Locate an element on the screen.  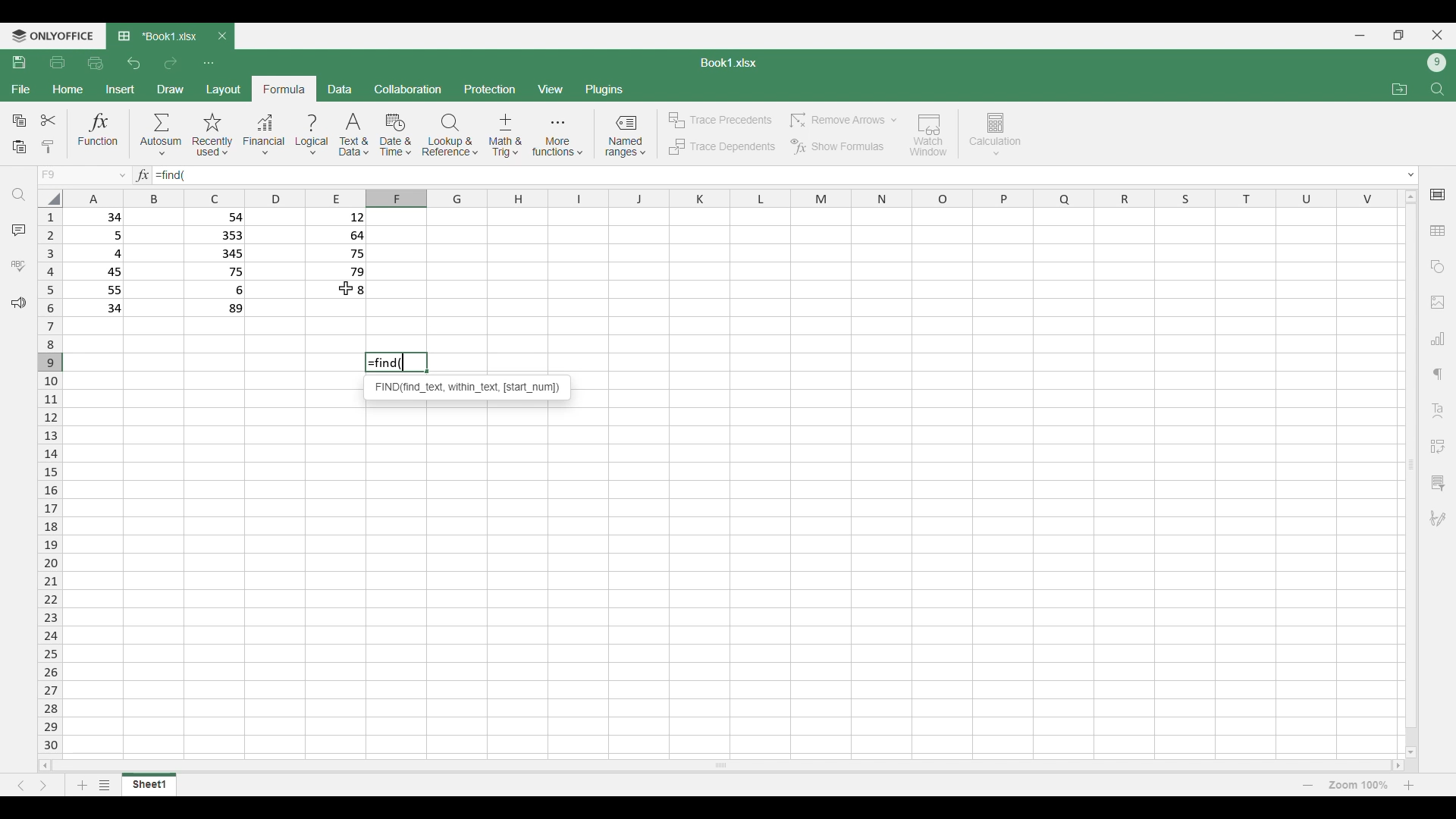
Next is located at coordinates (43, 786).